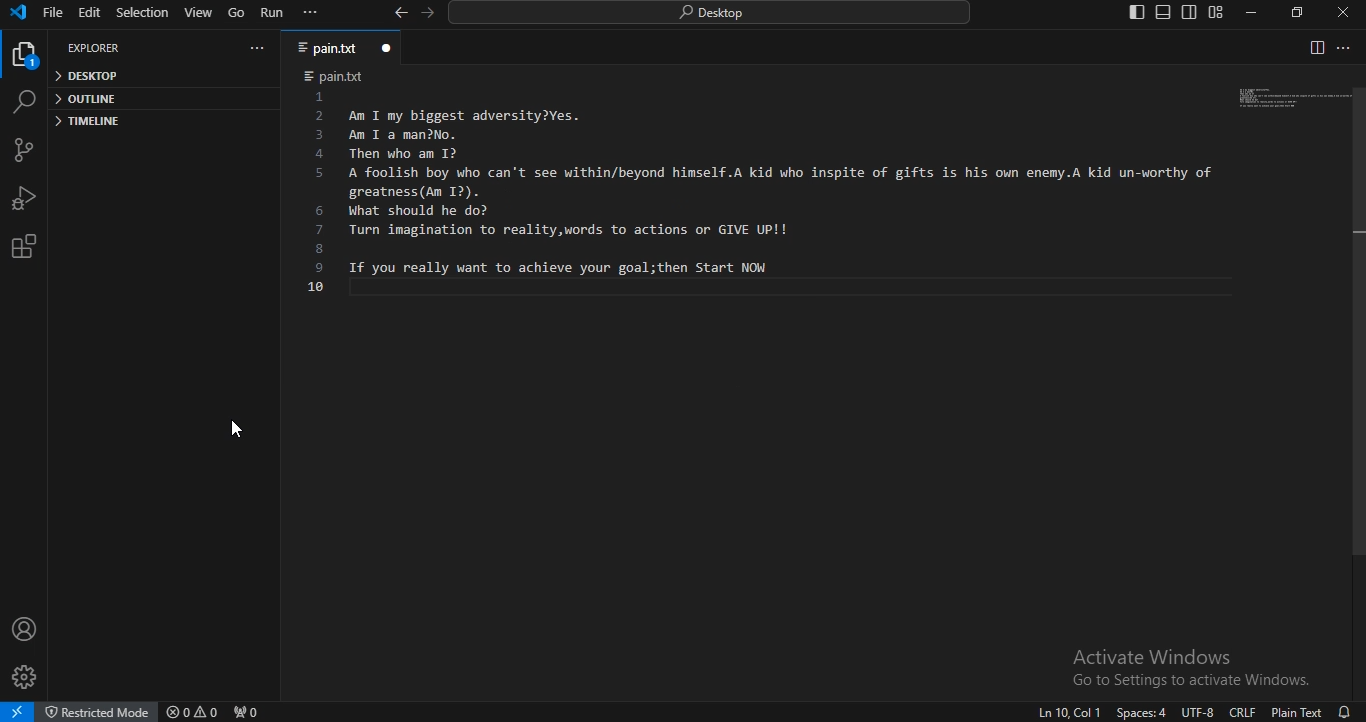  What do you see at coordinates (236, 15) in the screenshot?
I see `go` at bounding box center [236, 15].